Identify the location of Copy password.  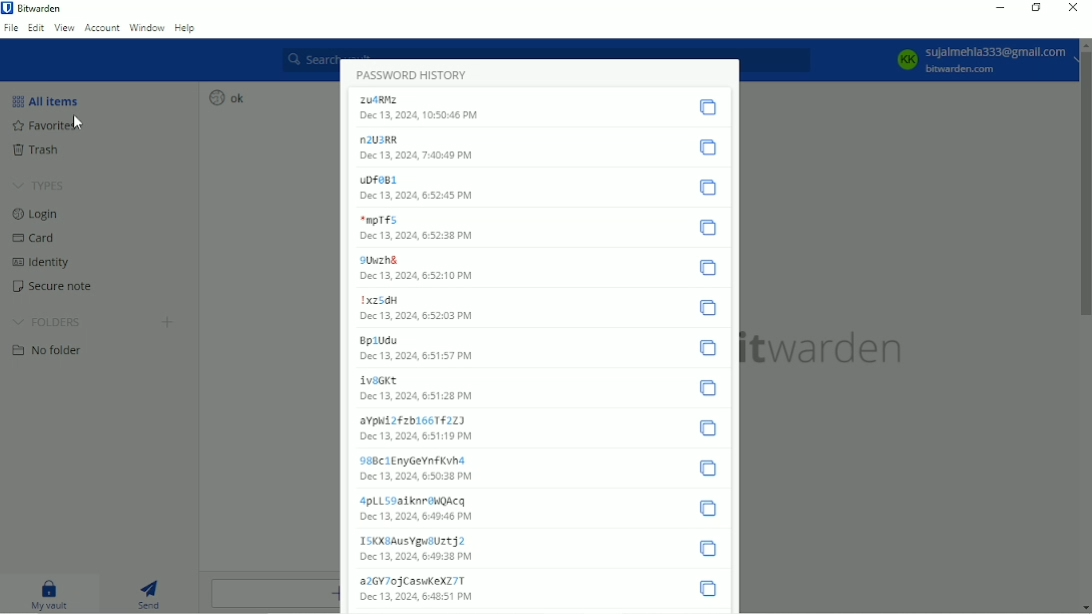
(709, 548).